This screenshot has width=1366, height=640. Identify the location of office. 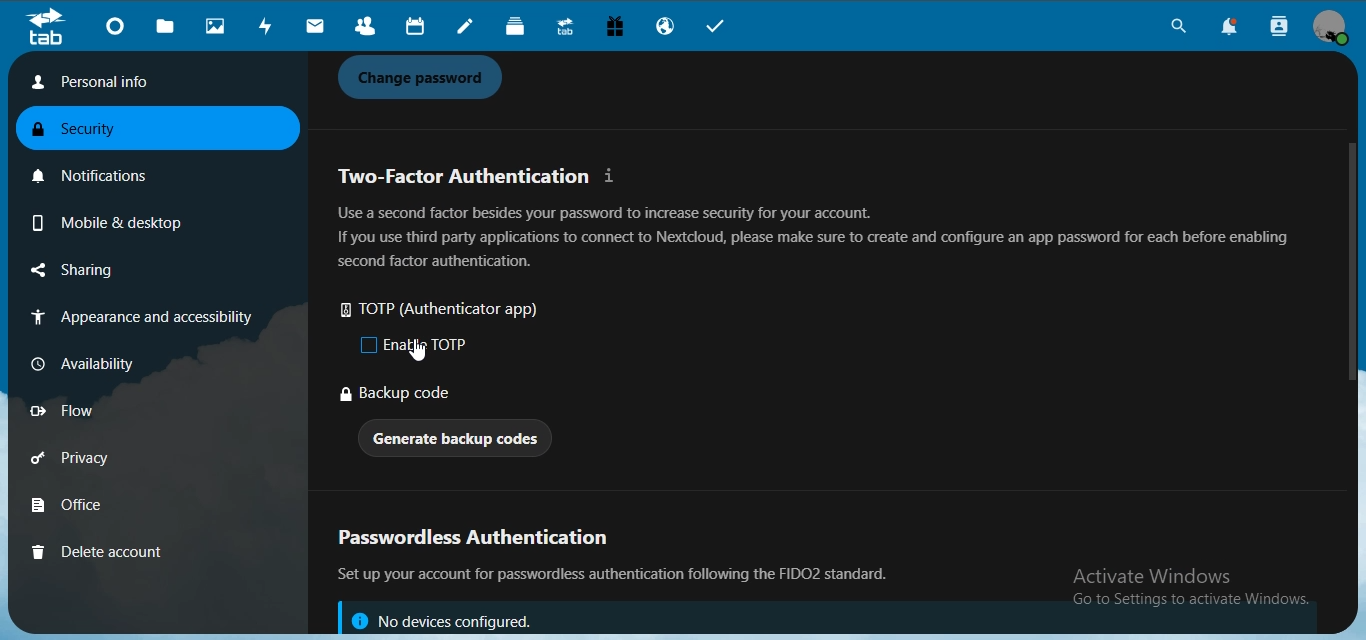
(97, 507).